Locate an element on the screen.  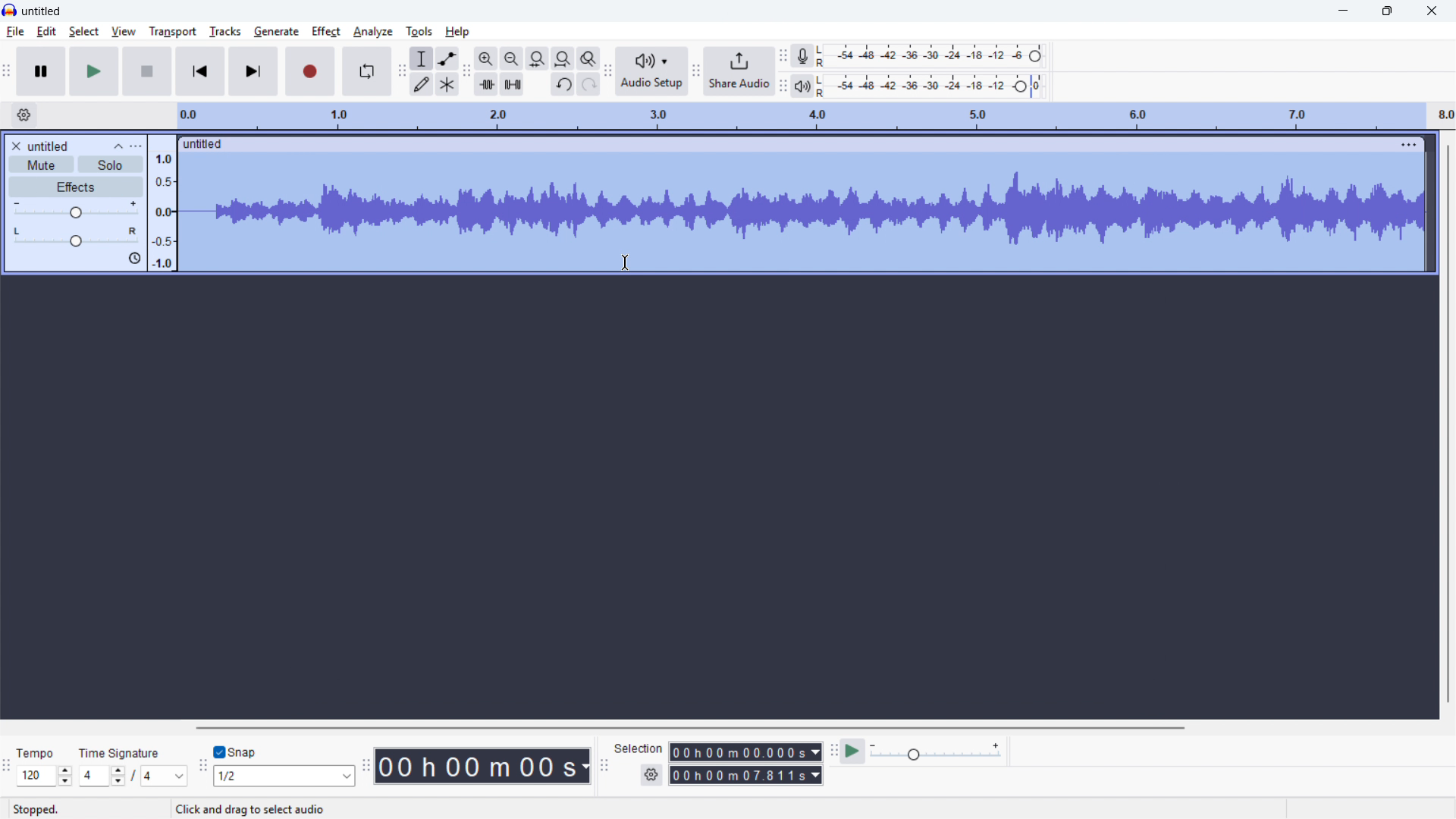
Maximise  is located at coordinates (1387, 11).